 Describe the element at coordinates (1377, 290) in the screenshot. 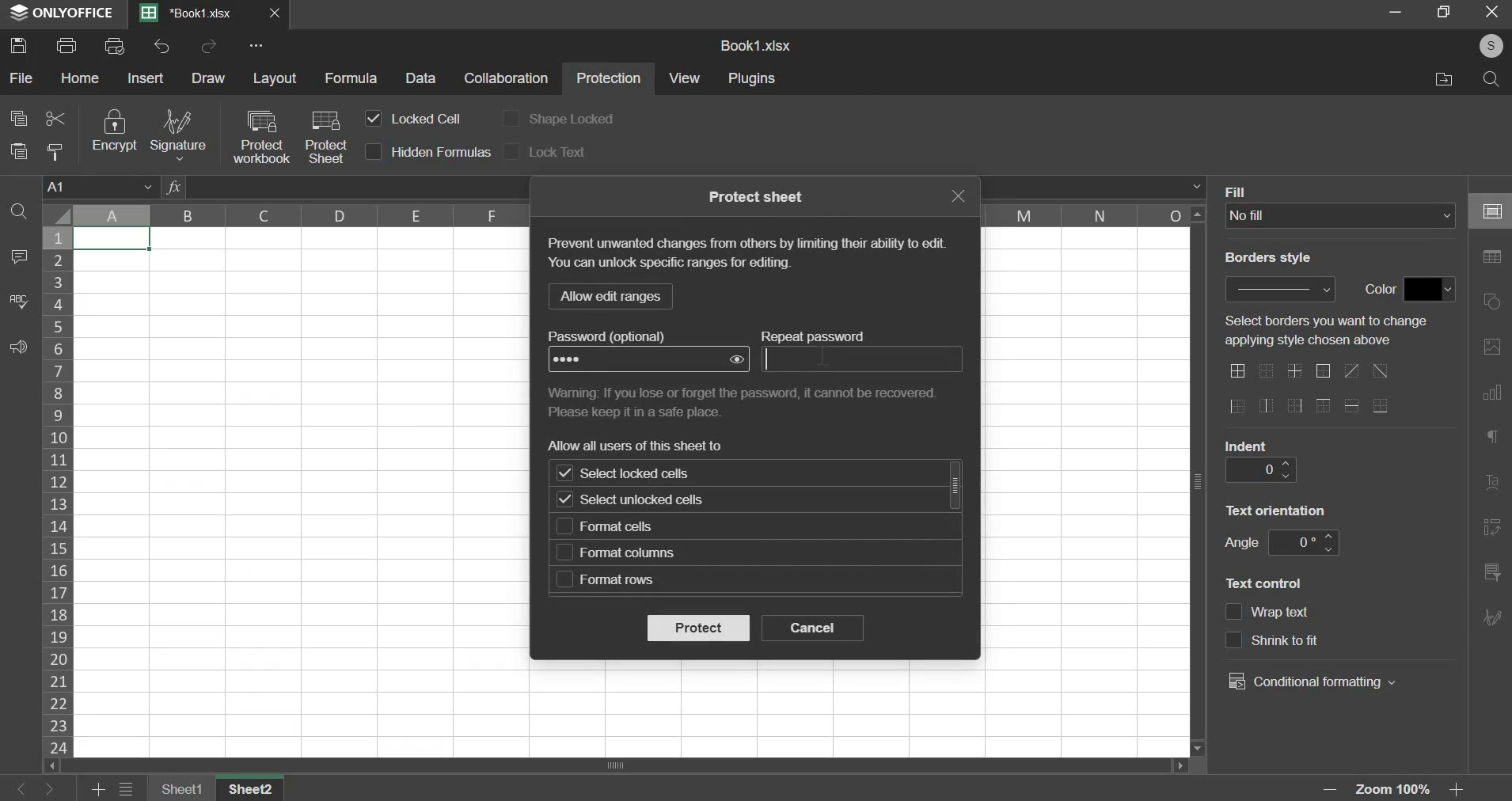

I see `color` at that location.